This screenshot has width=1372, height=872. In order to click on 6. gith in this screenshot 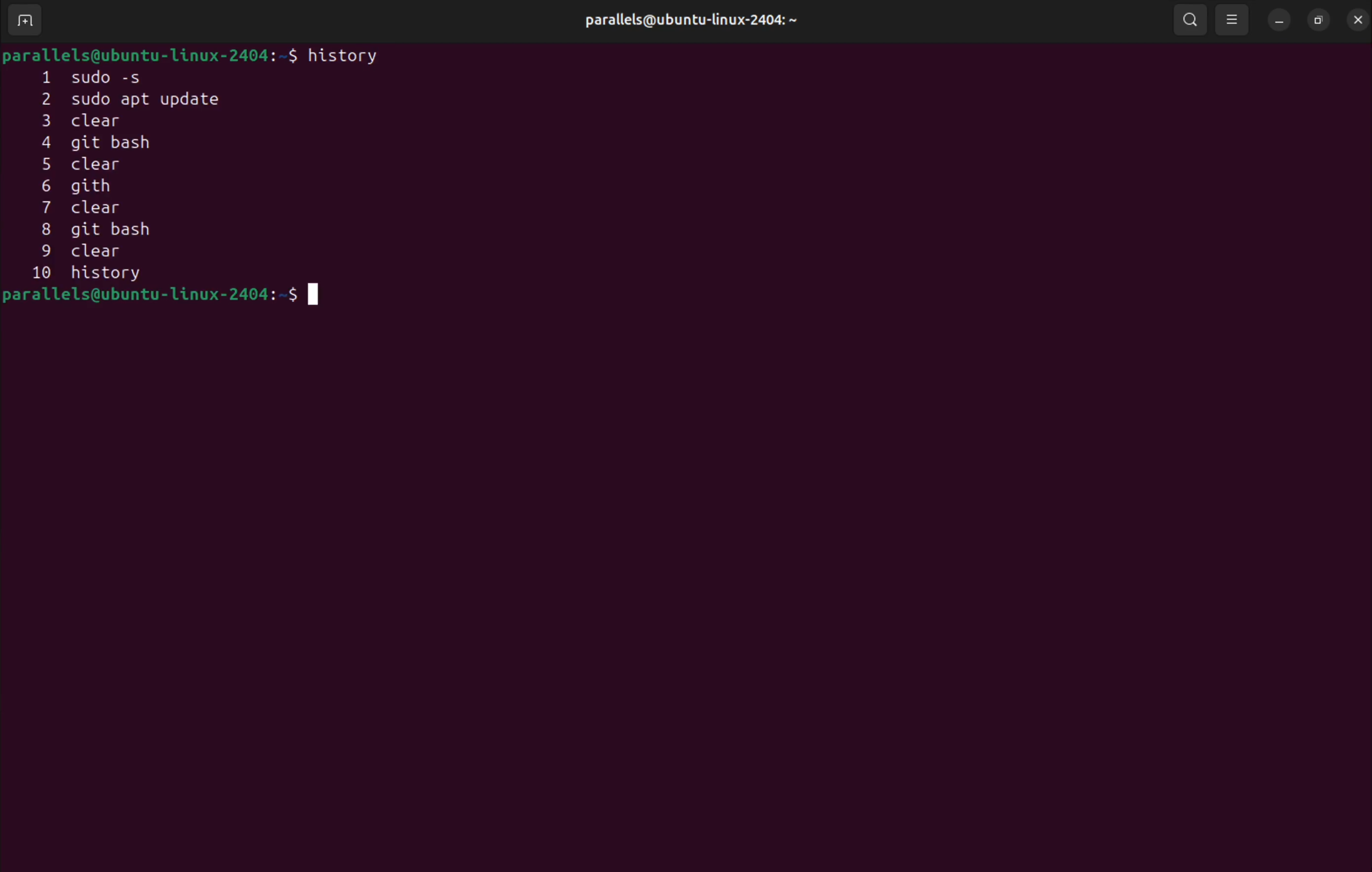, I will do `click(81, 186)`.